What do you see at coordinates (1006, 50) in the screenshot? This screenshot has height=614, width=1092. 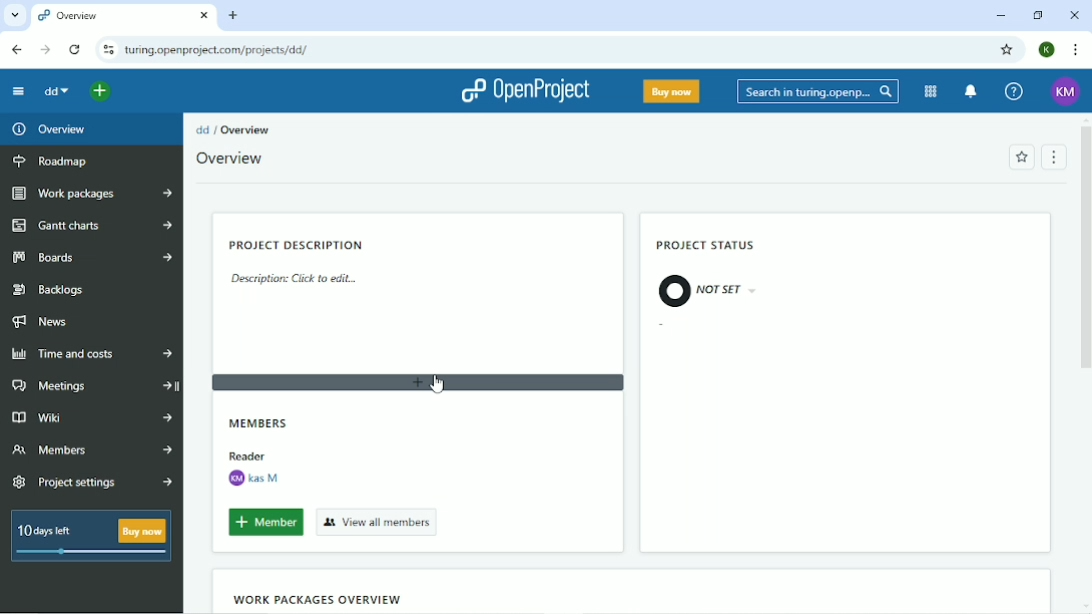 I see `Bookmark this tab` at bounding box center [1006, 50].